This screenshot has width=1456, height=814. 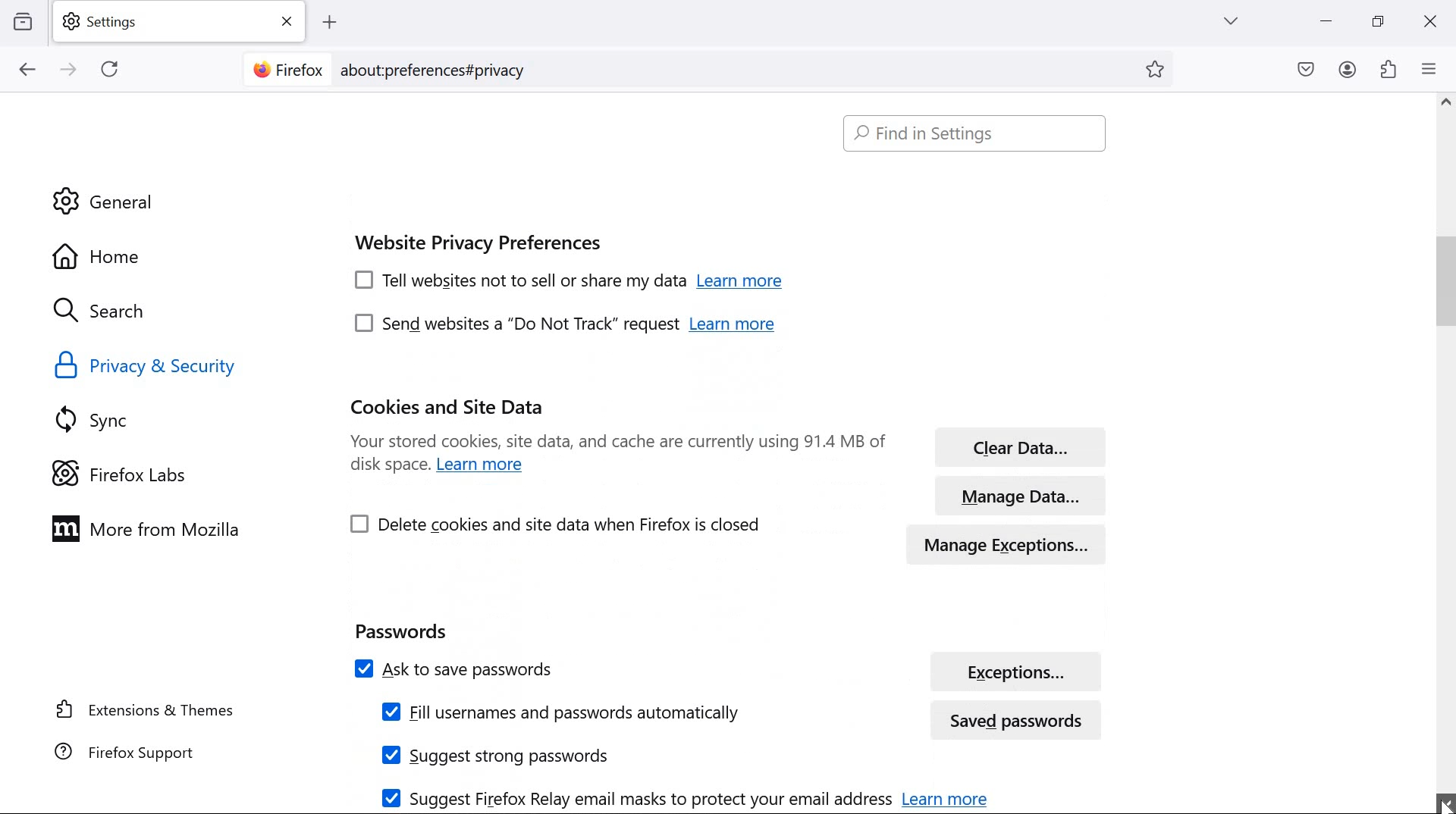 What do you see at coordinates (149, 366) in the screenshot?
I see `Privacy & security` at bounding box center [149, 366].